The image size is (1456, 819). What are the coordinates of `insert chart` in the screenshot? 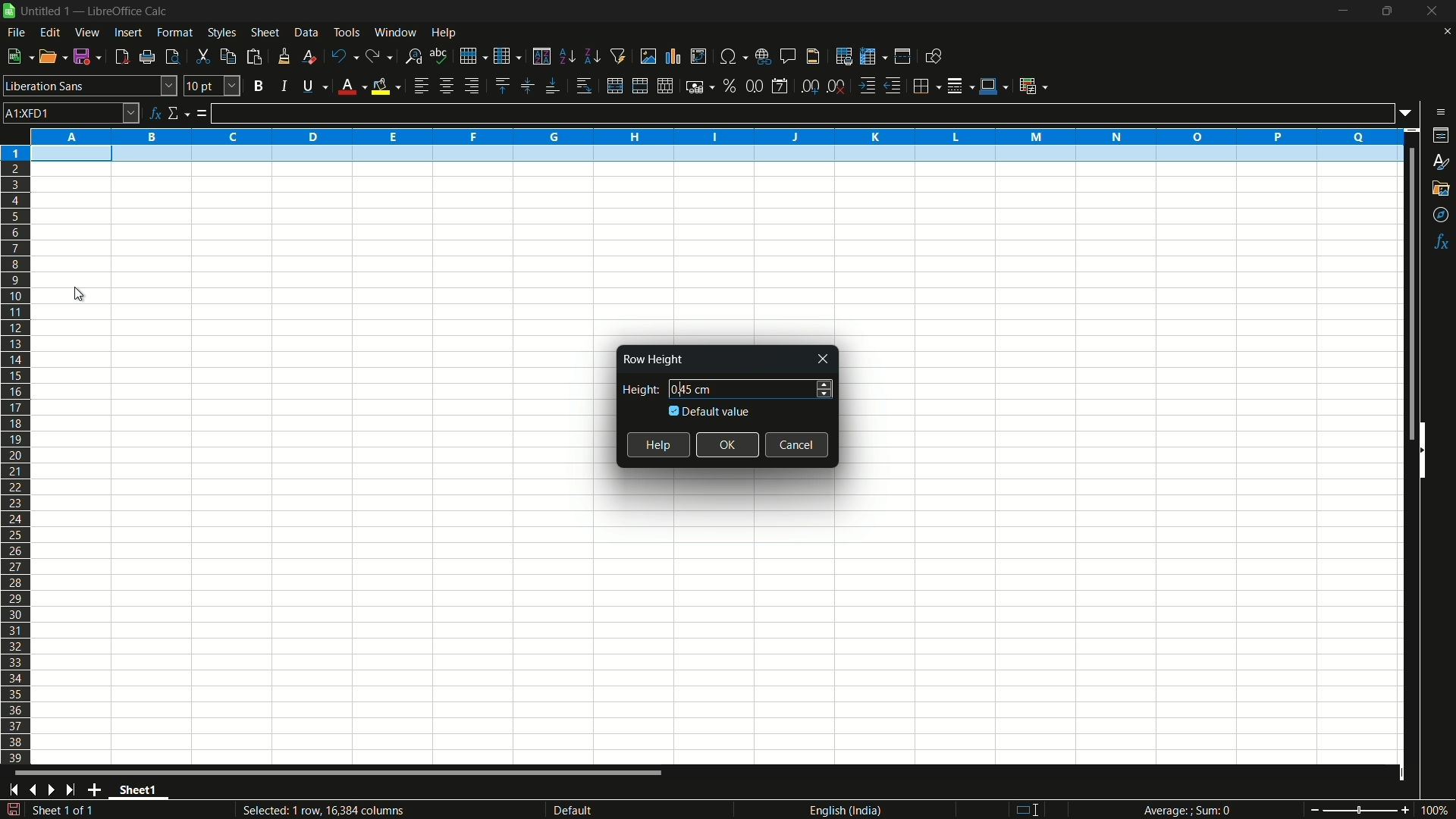 It's located at (673, 55).